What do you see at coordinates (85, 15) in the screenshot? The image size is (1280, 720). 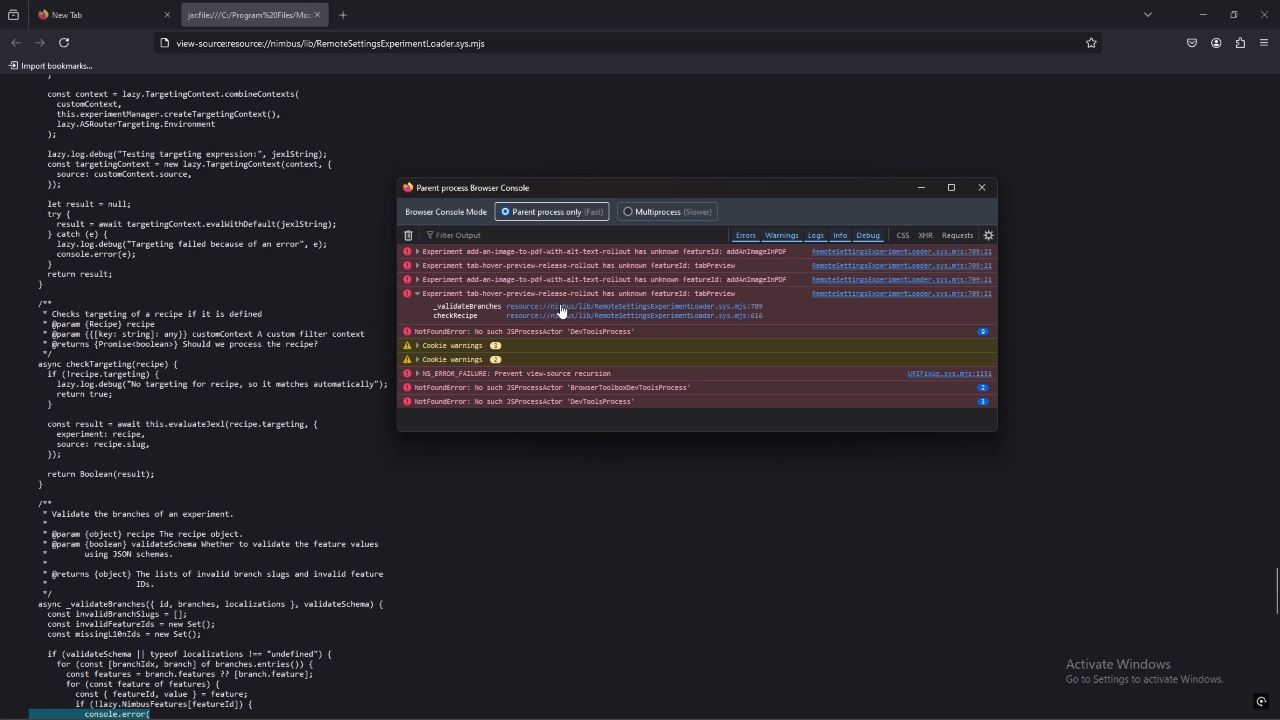 I see `New Tab` at bounding box center [85, 15].